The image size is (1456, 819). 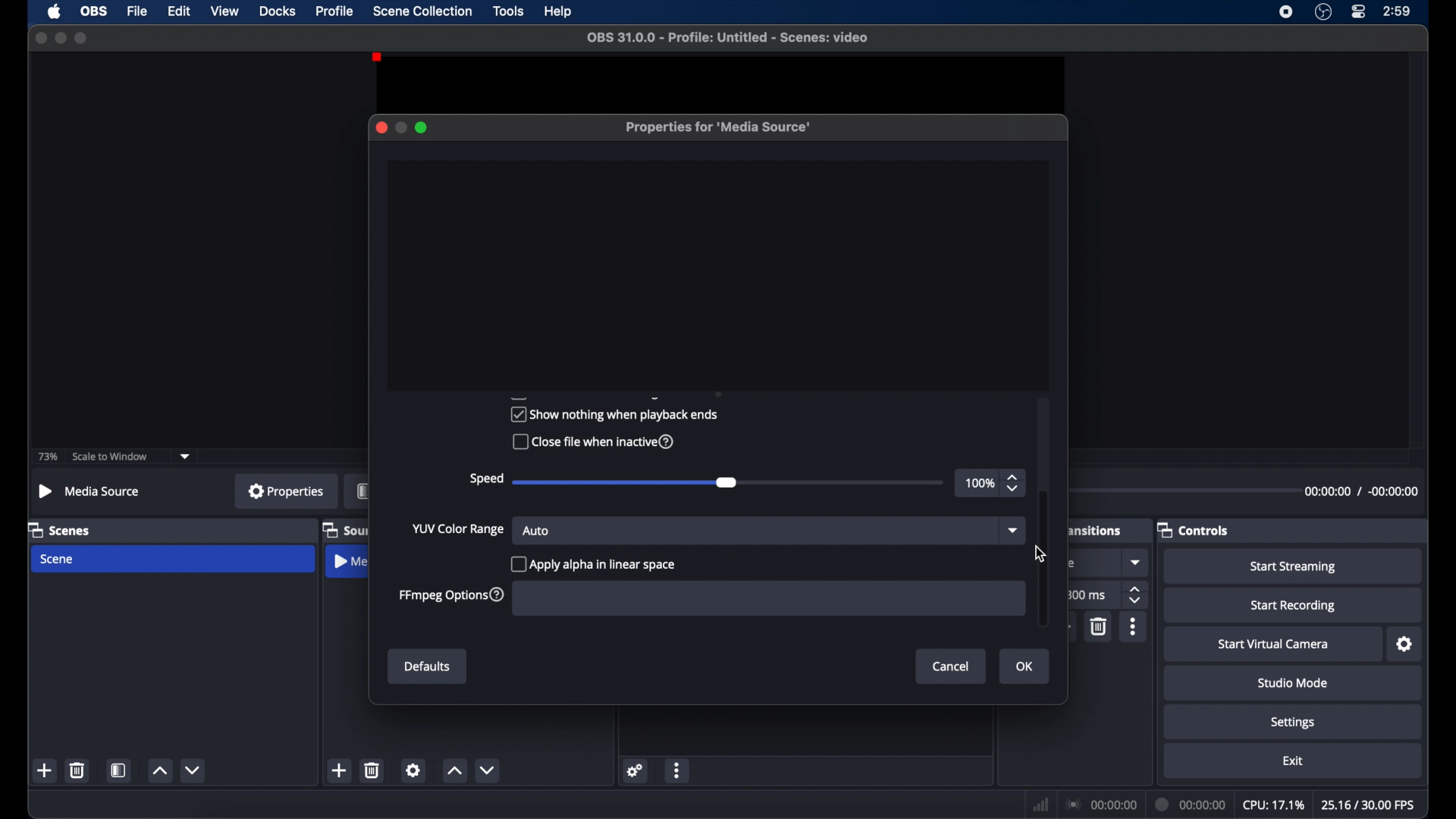 What do you see at coordinates (422, 11) in the screenshot?
I see `scene collection` at bounding box center [422, 11].